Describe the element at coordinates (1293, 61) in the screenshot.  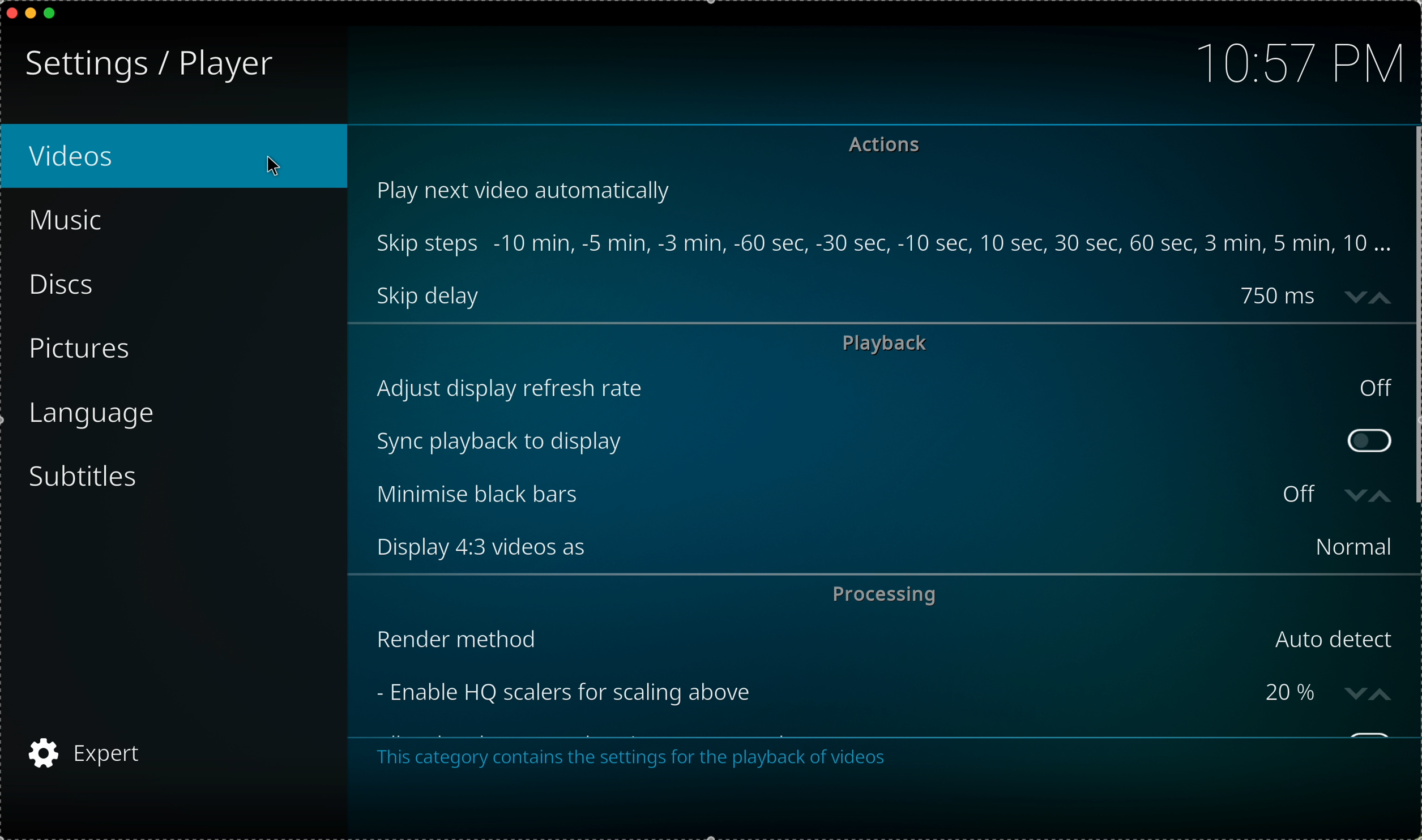
I see `10:57 PM` at that location.